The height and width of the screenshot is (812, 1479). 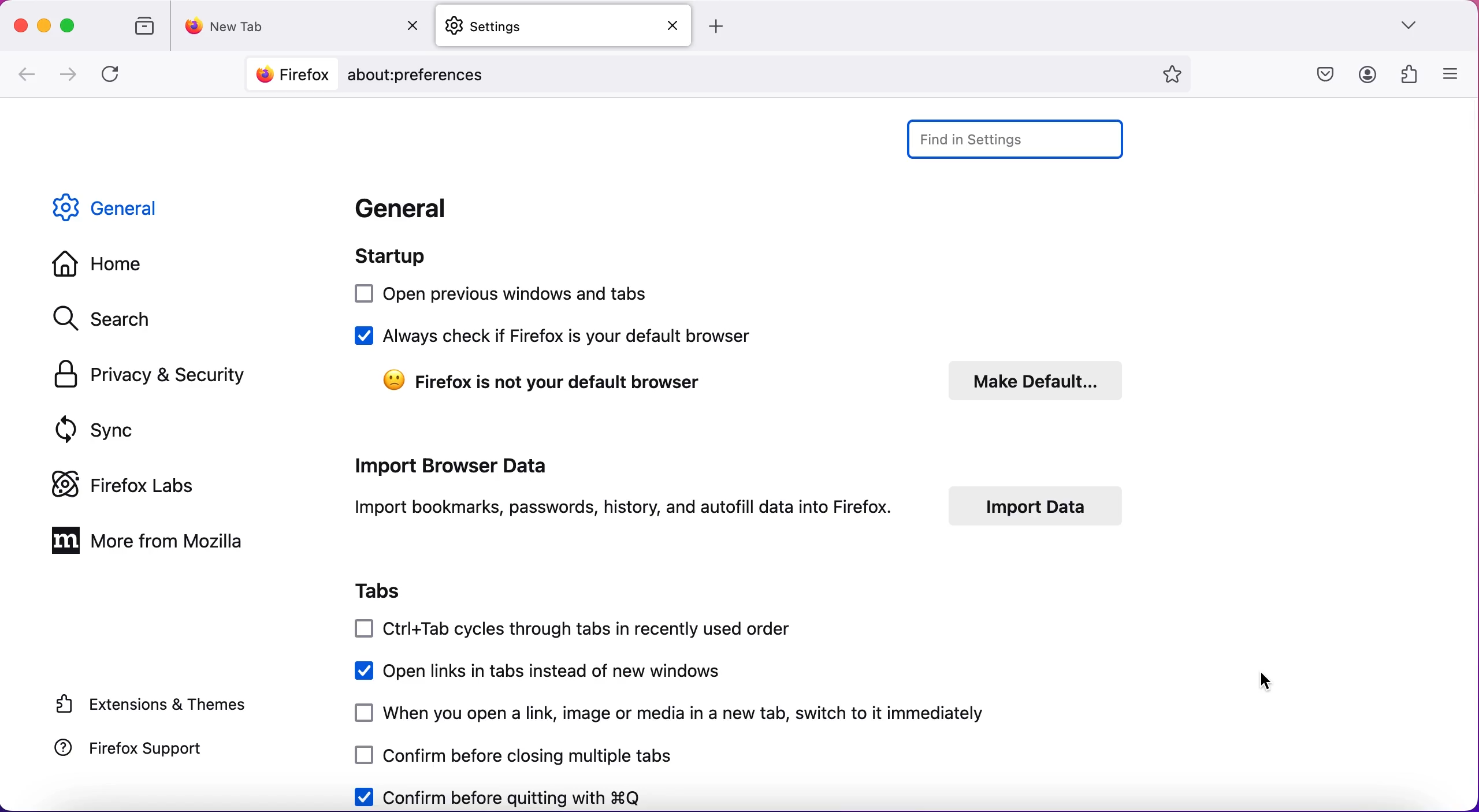 I want to click on reload current page, so click(x=114, y=75).